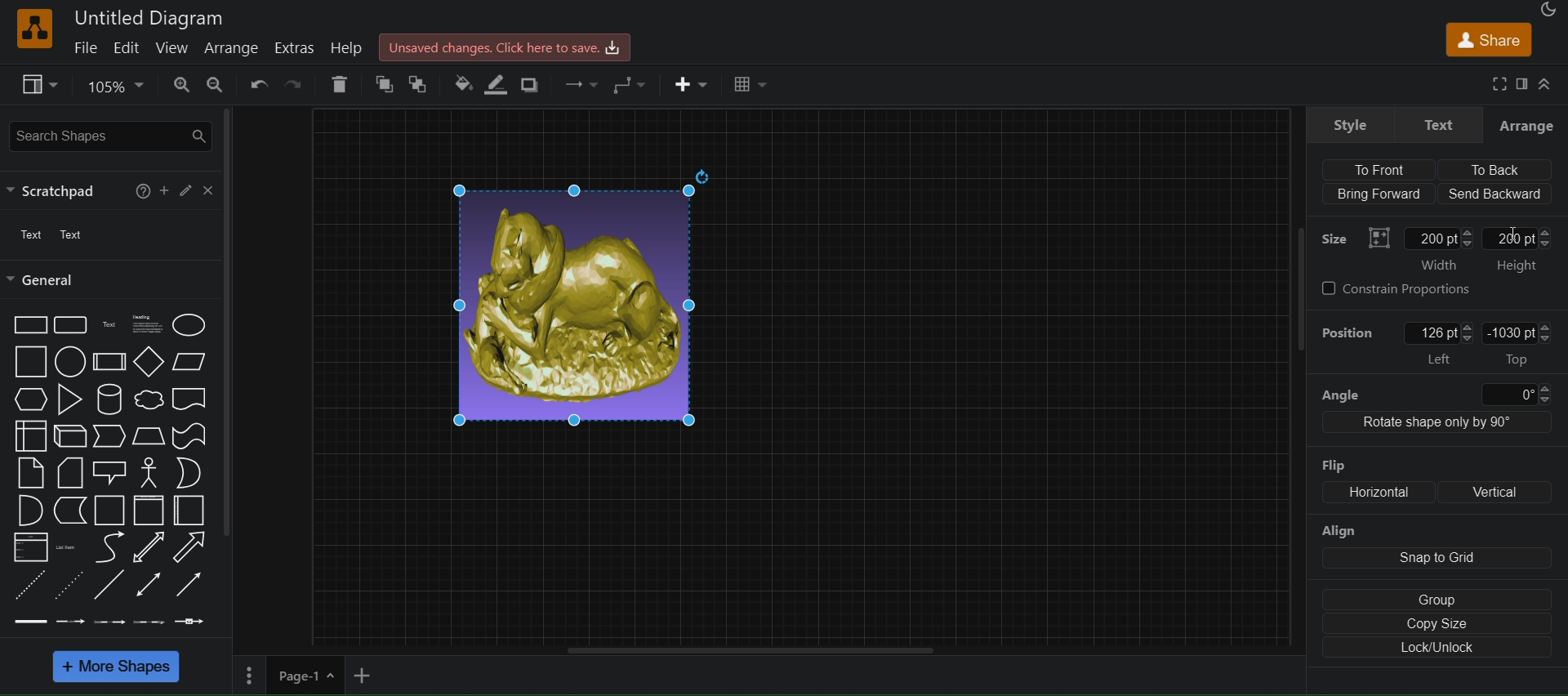  What do you see at coordinates (307, 676) in the screenshot?
I see `page 1` at bounding box center [307, 676].